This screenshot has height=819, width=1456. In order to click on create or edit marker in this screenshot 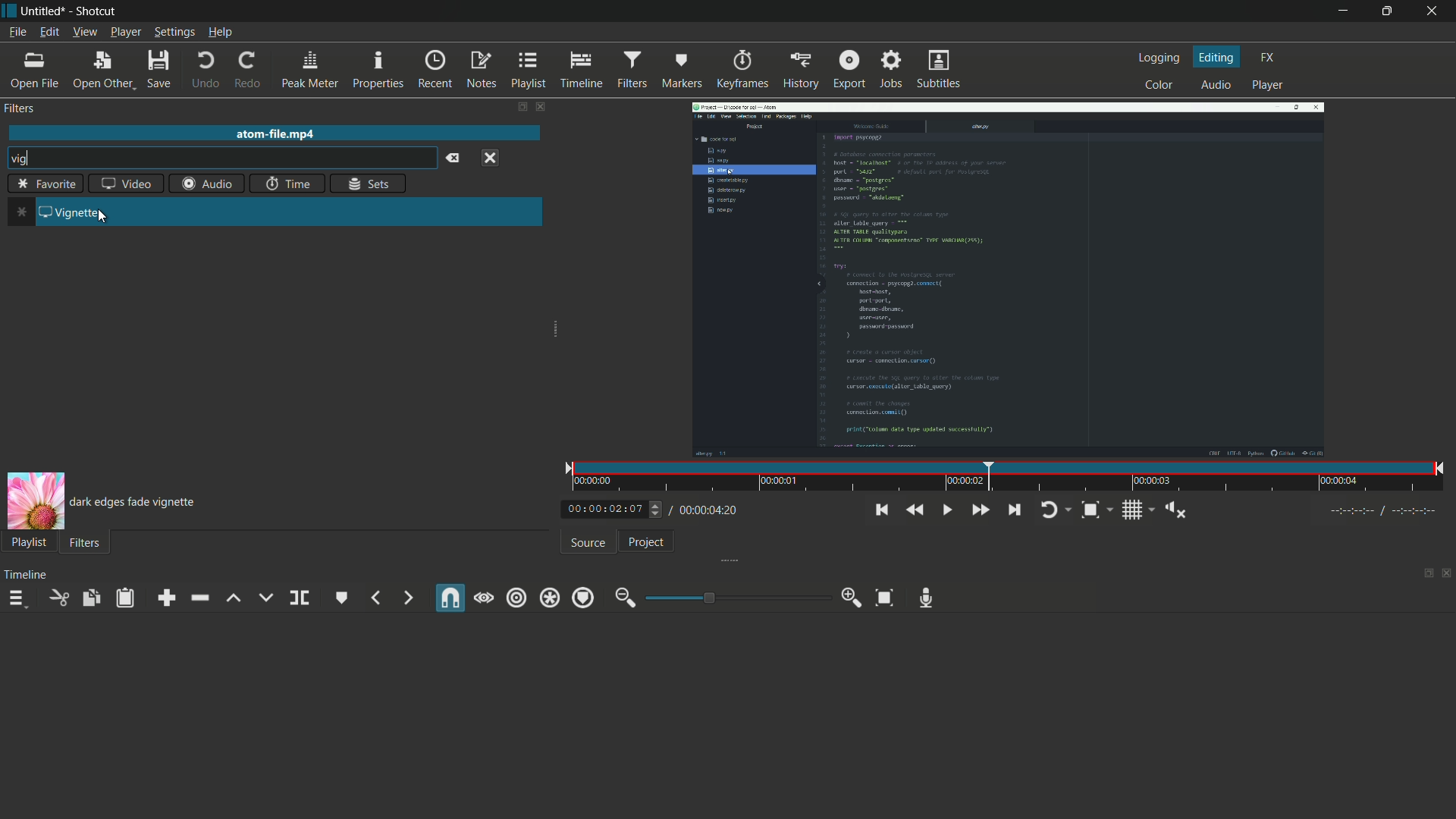, I will do `click(343, 598)`.